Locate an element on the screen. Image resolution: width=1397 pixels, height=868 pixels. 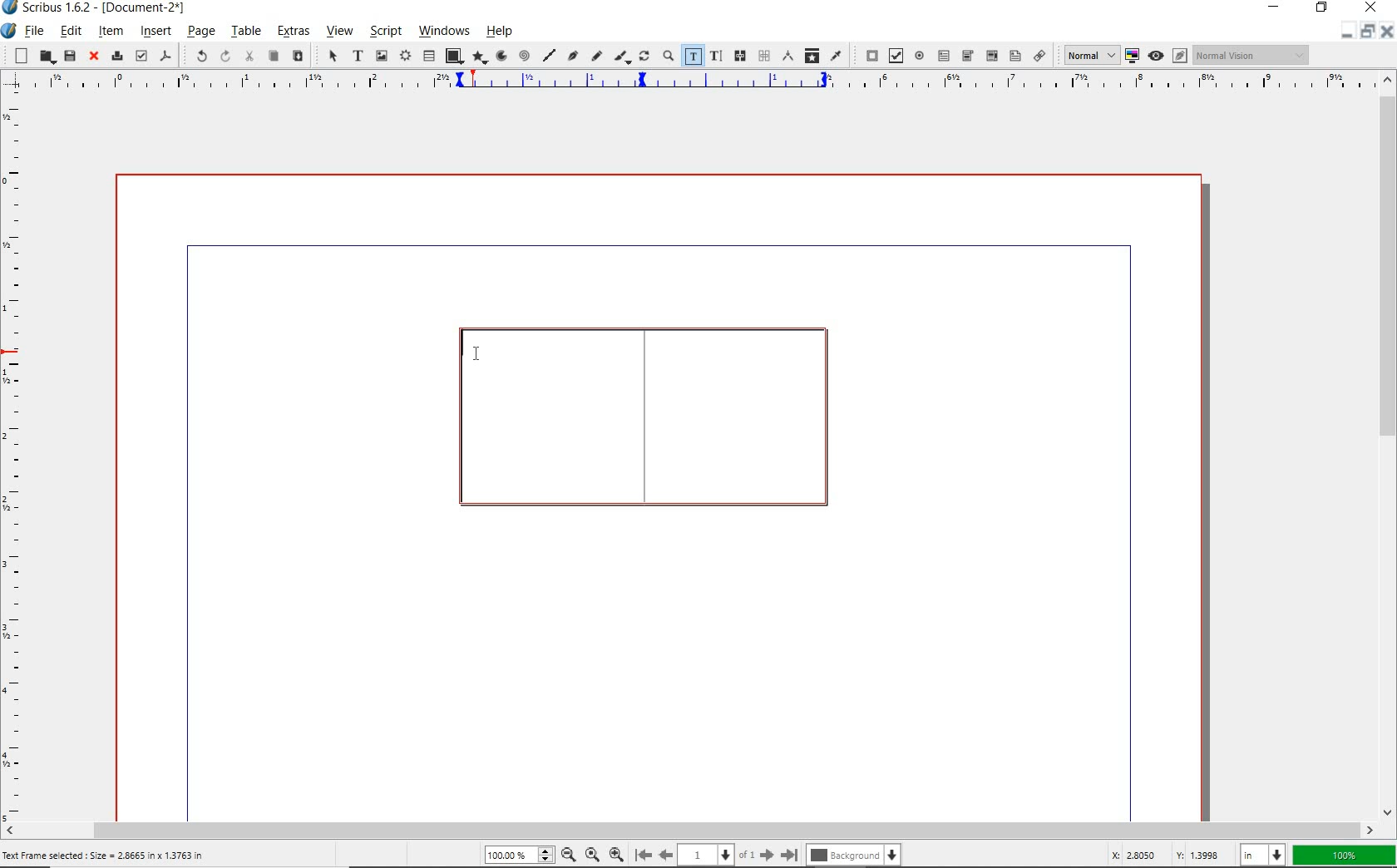
Normal Vision is located at coordinates (1250, 56).